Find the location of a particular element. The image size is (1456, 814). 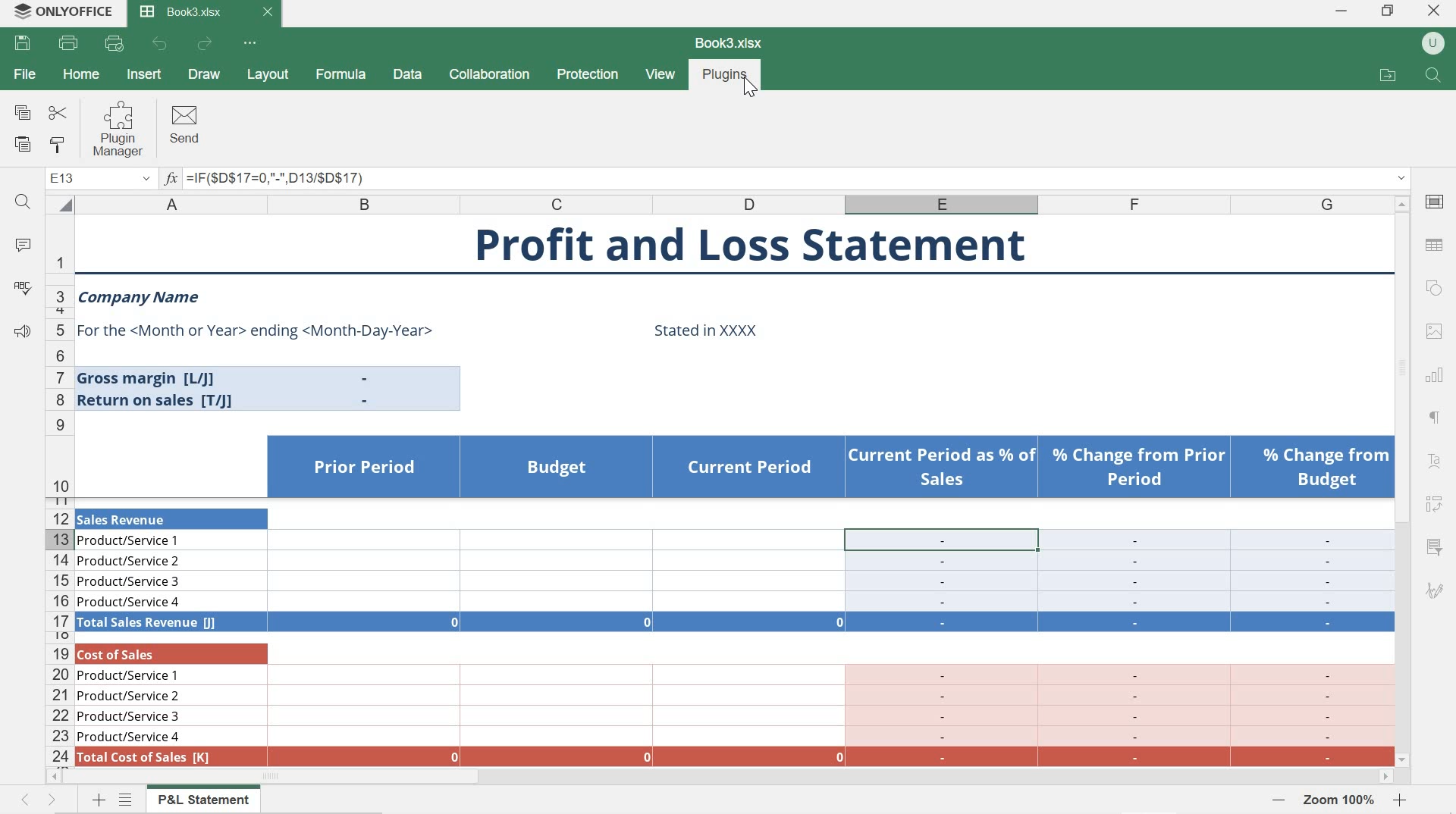

comments is located at coordinates (21, 243).